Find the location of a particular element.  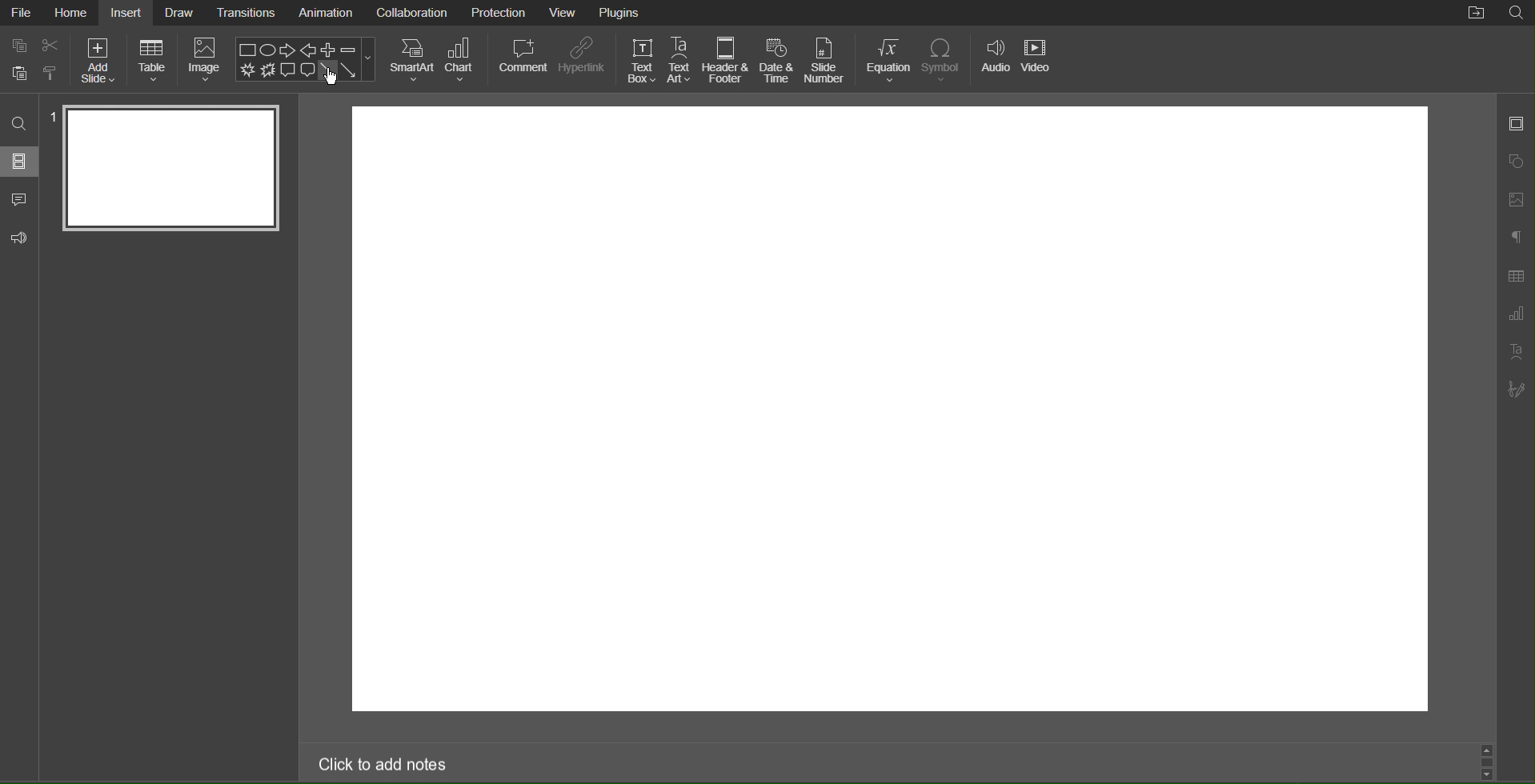

Signature is located at coordinates (1517, 390).